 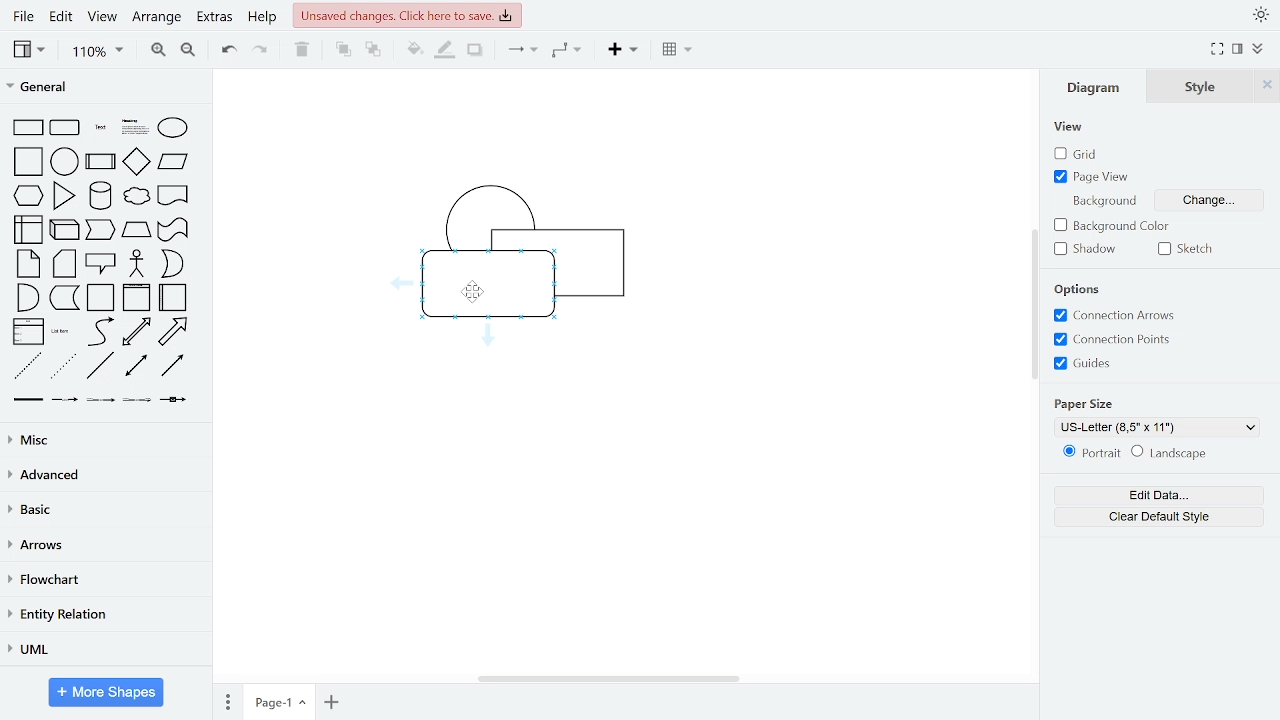 I want to click on note, so click(x=28, y=264).